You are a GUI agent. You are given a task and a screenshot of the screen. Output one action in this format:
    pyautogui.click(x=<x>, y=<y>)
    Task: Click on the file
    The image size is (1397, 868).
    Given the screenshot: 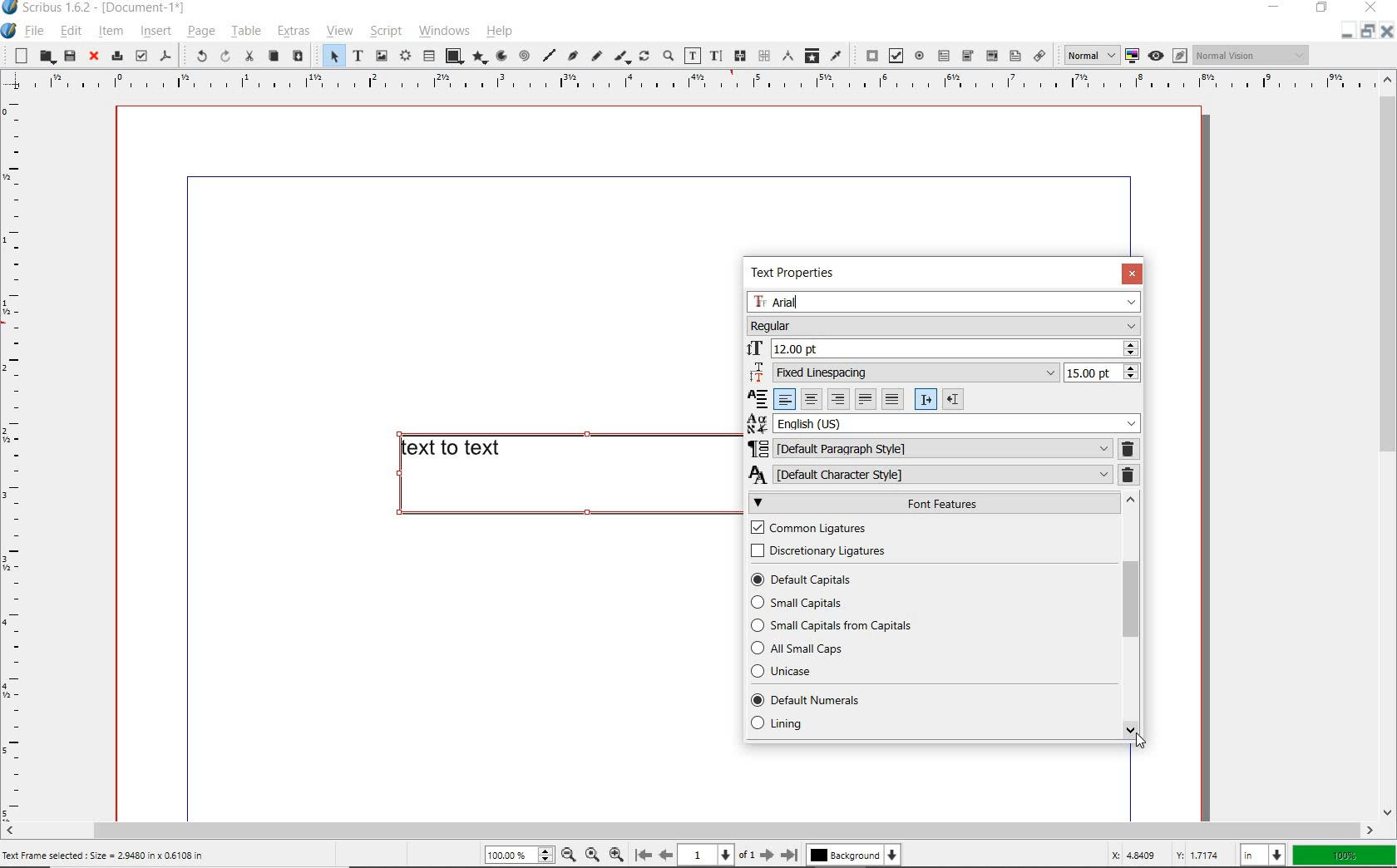 What is the action you would take?
    pyautogui.click(x=35, y=32)
    